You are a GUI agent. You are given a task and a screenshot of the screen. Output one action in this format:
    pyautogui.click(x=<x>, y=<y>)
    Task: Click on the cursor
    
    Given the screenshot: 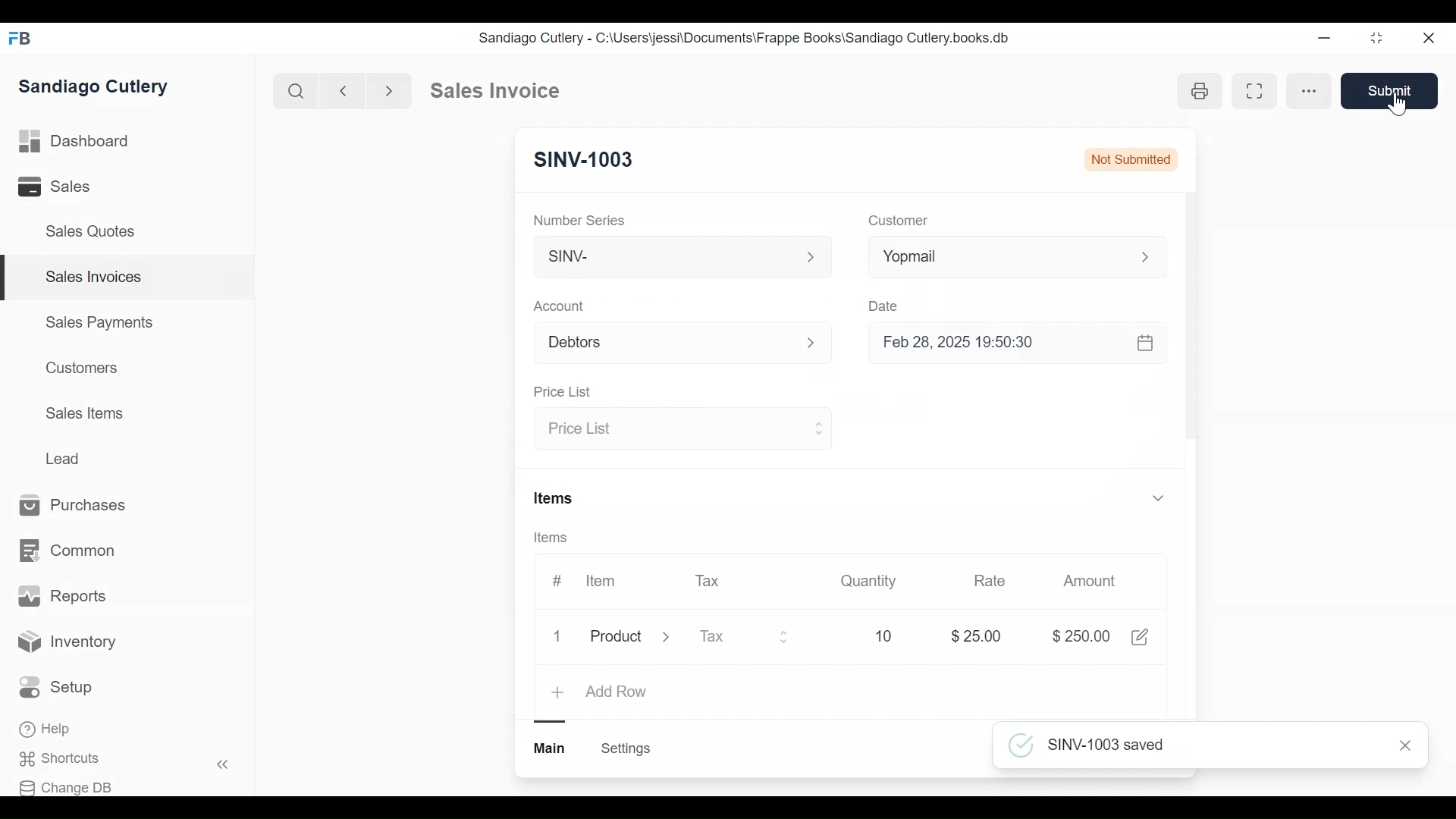 What is the action you would take?
    pyautogui.click(x=1398, y=106)
    